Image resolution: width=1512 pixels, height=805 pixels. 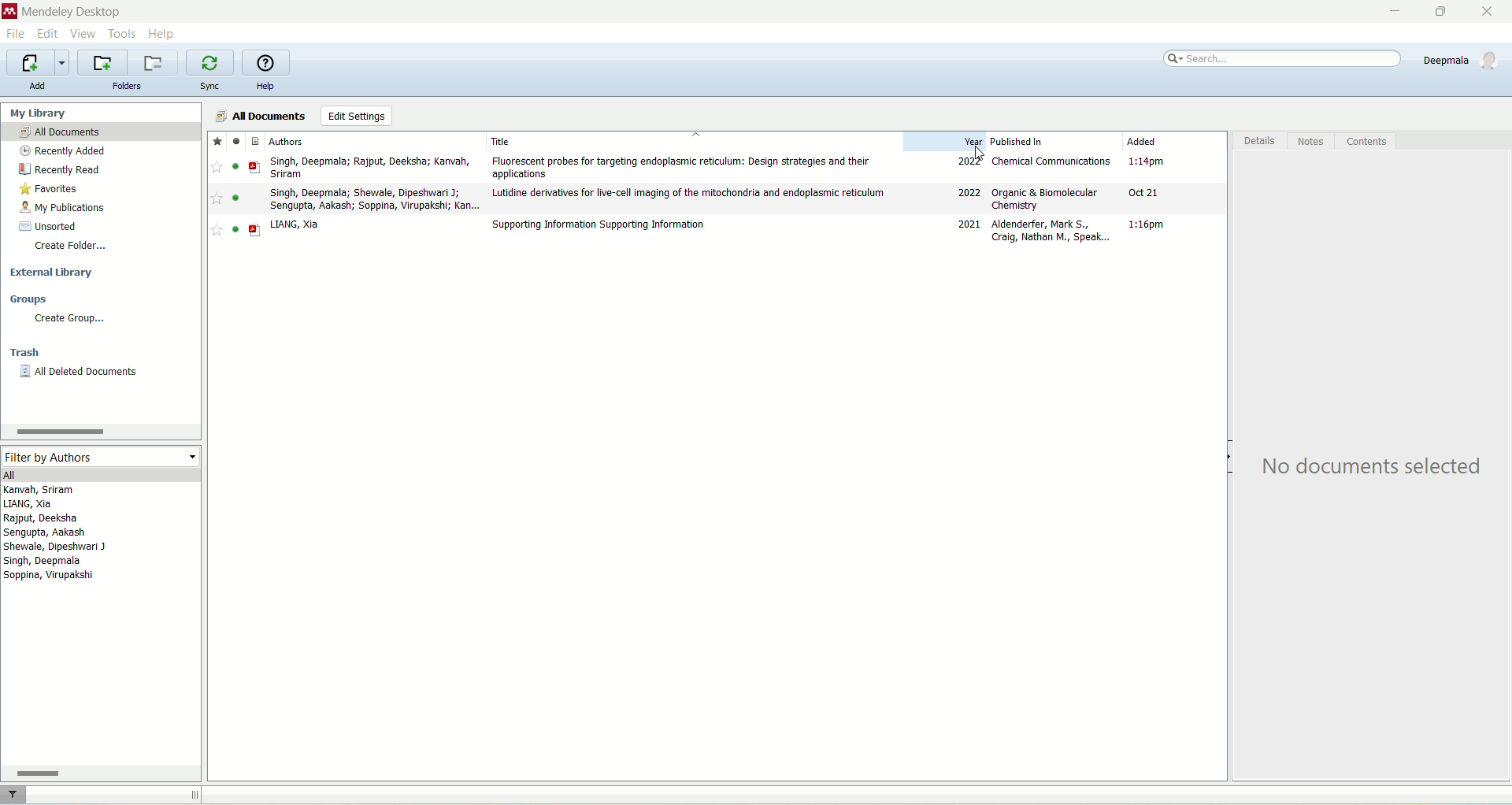 What do you see at coordinates (43, 532) in the screenshot?
I see `Sengupta, Aakash` at bounding box center [43, 532].